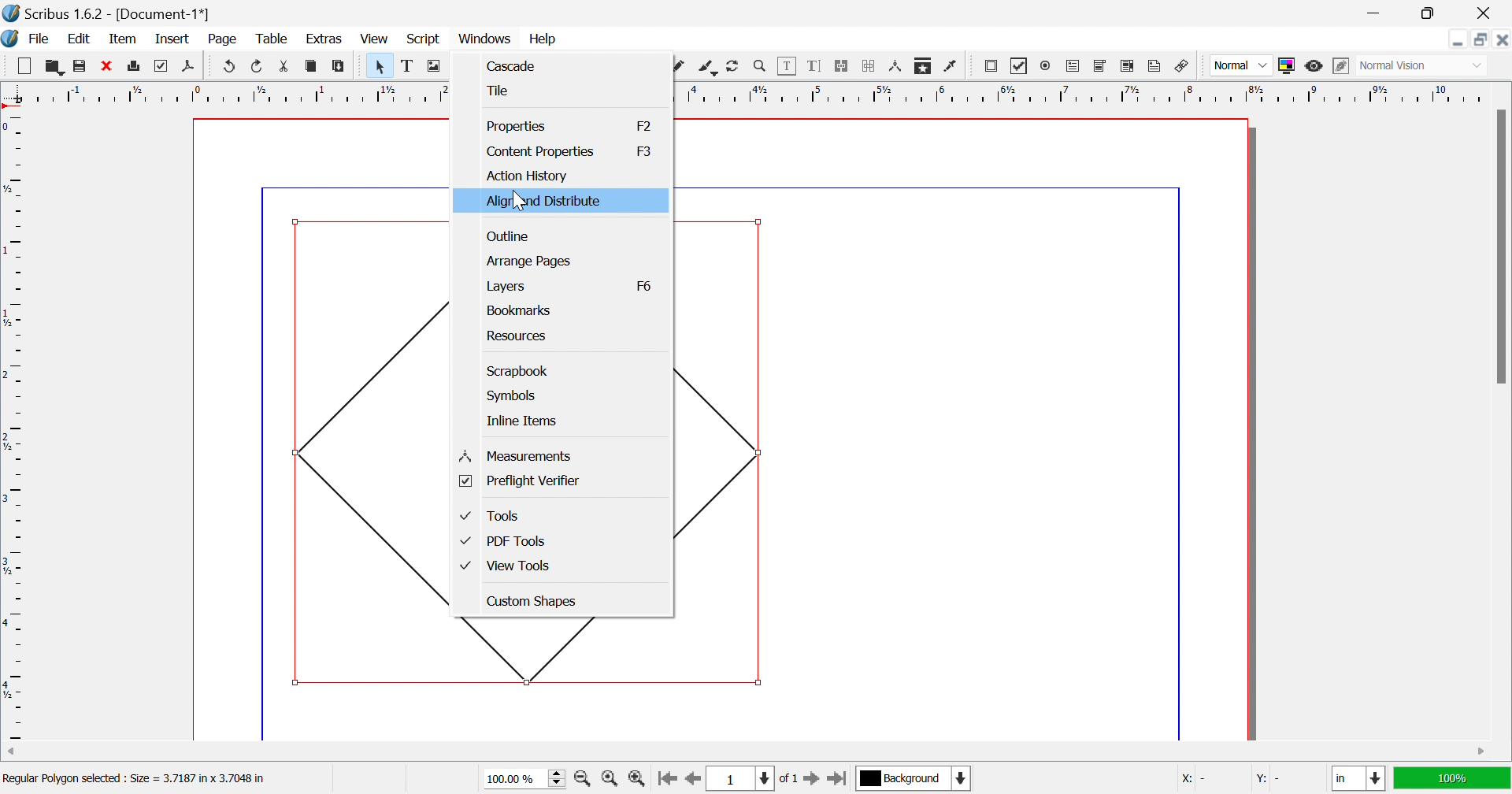 The width and height of the screenshot is (1512, 794). Describe the element at coordinates (1272, 779) in the screenshot. I see `y: -` at that location.